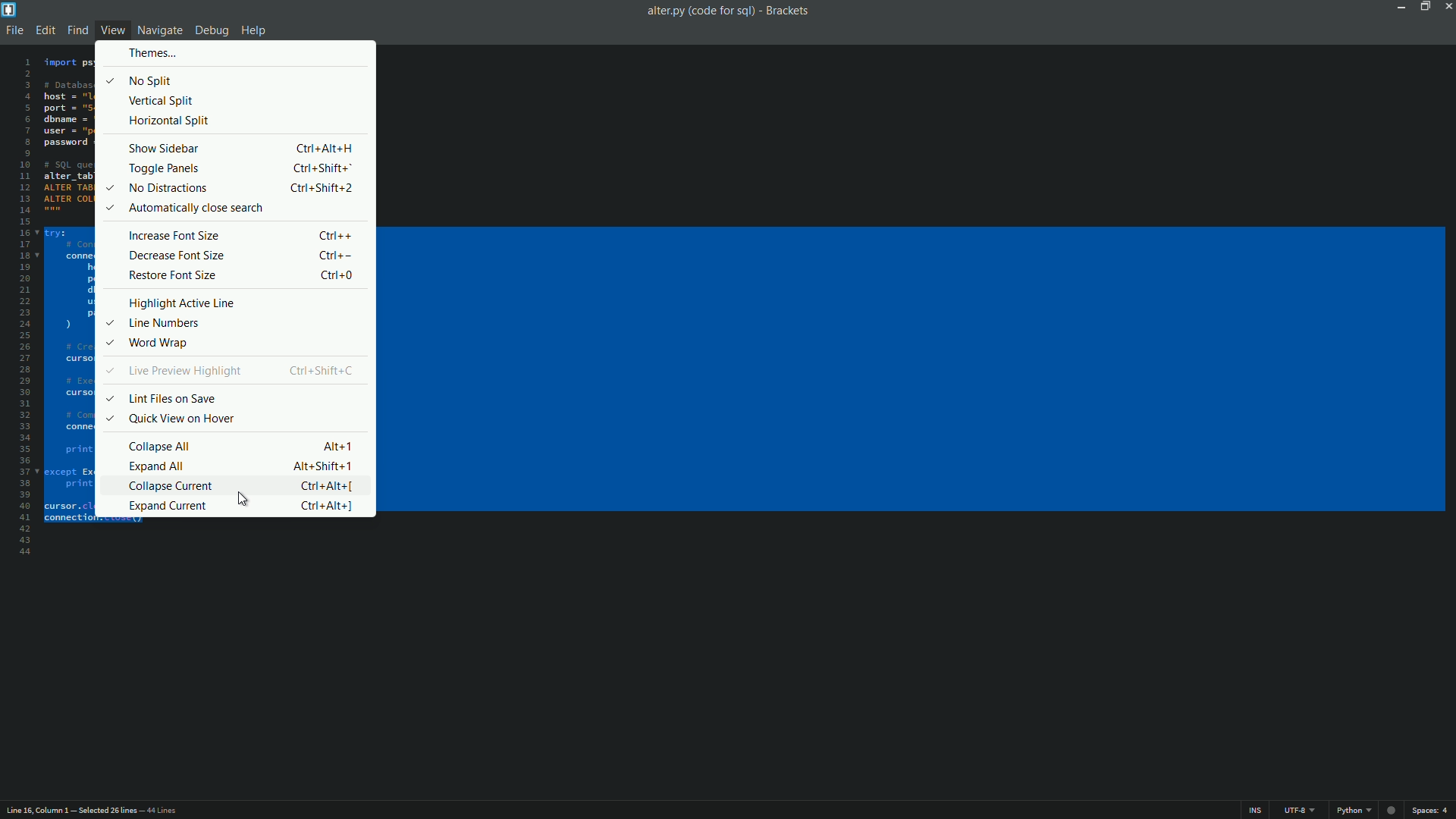  Describe the element at coordinates (244, 498) in the screenshot. I see `cursor` at that location.